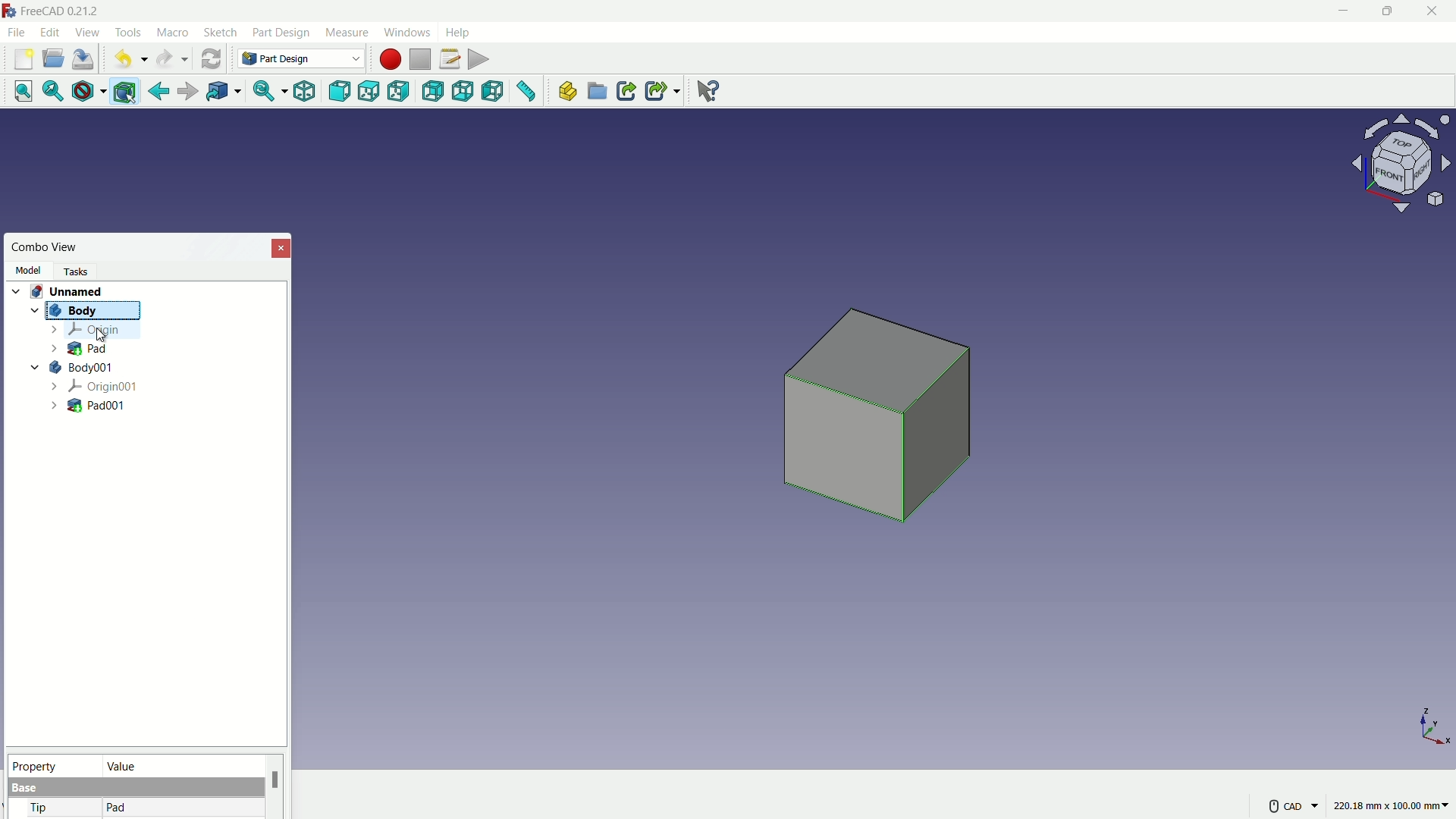 The height and width of the screenshot is (819, 1456). I want to click on fit selection, so click(49, 92).